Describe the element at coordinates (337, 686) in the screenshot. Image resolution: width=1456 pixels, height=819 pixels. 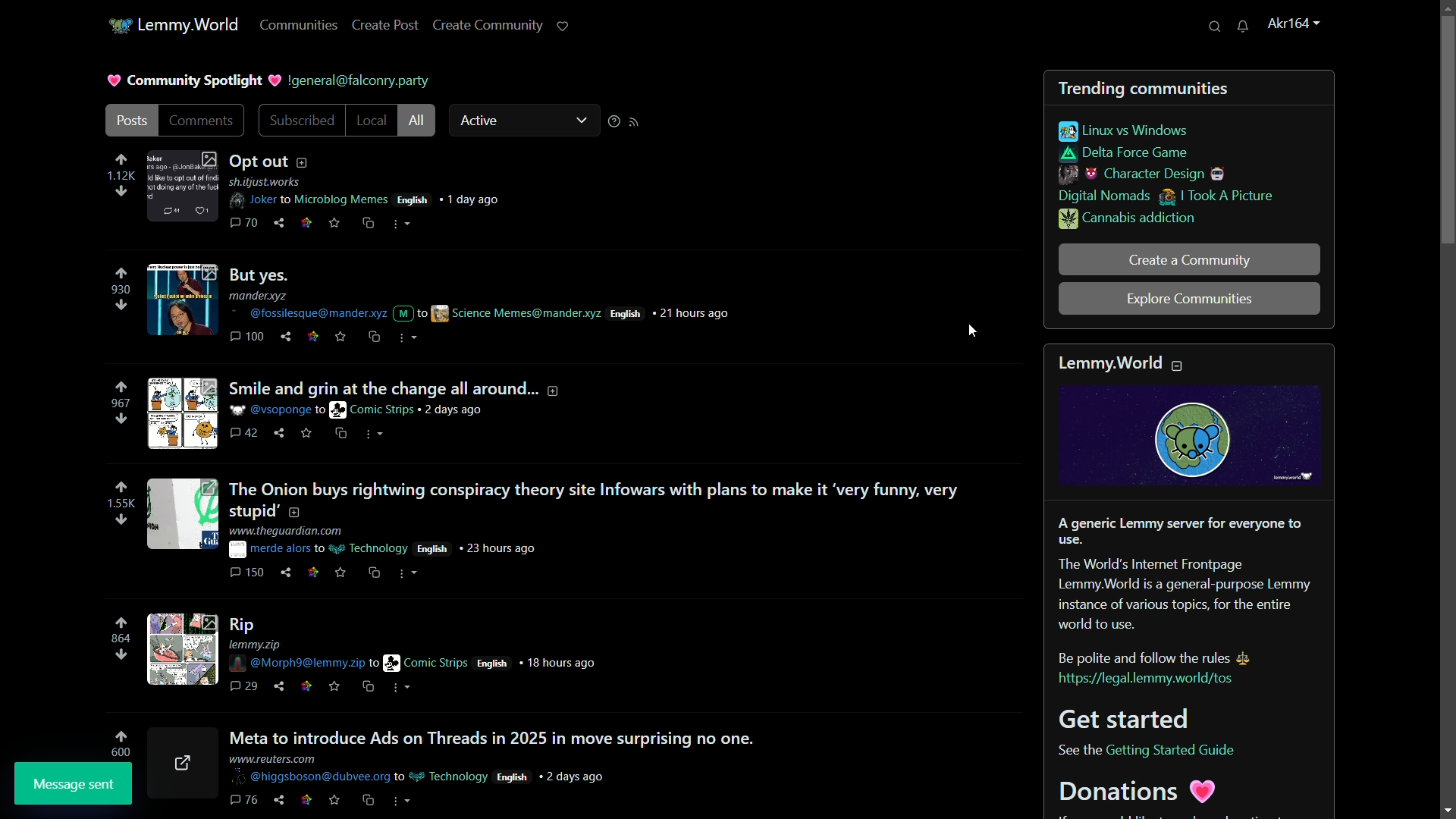
I see `save` at that location.